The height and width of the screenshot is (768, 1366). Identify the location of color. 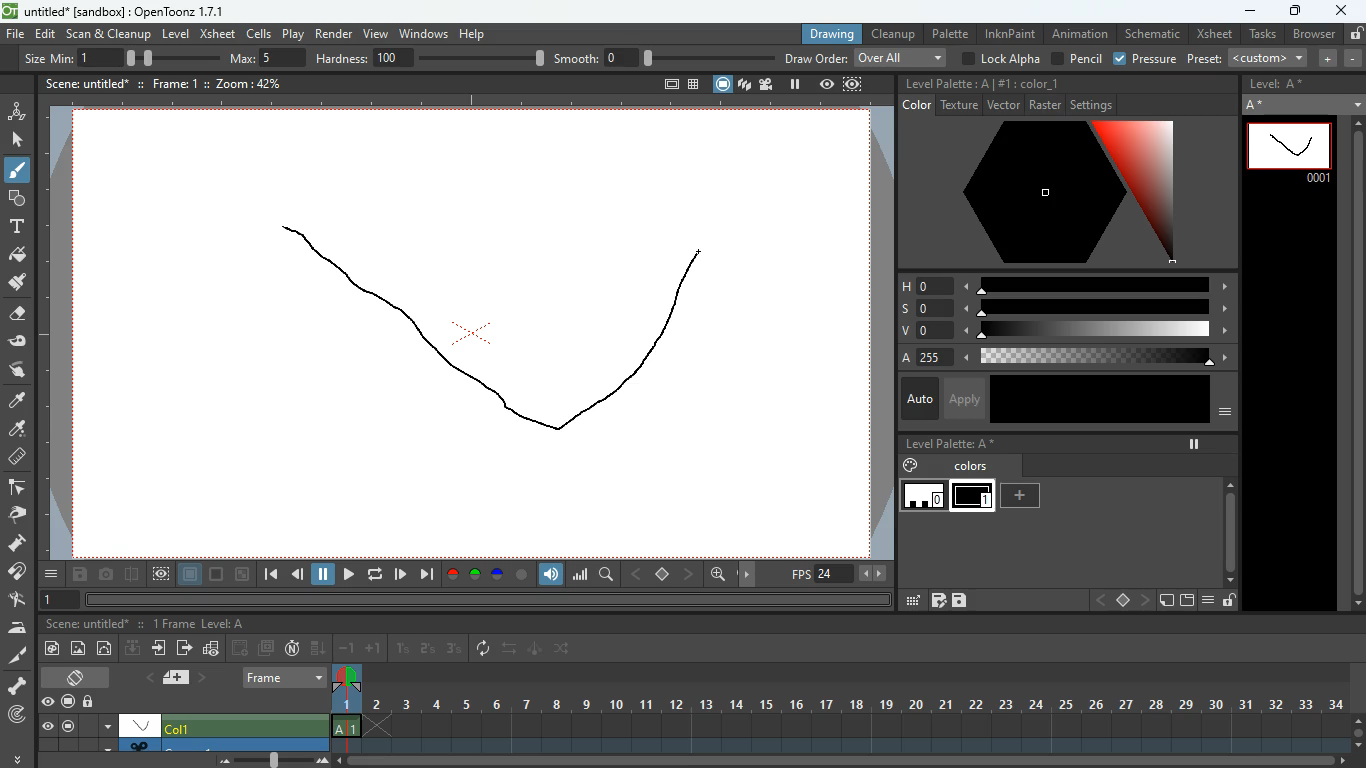
(917, 105).